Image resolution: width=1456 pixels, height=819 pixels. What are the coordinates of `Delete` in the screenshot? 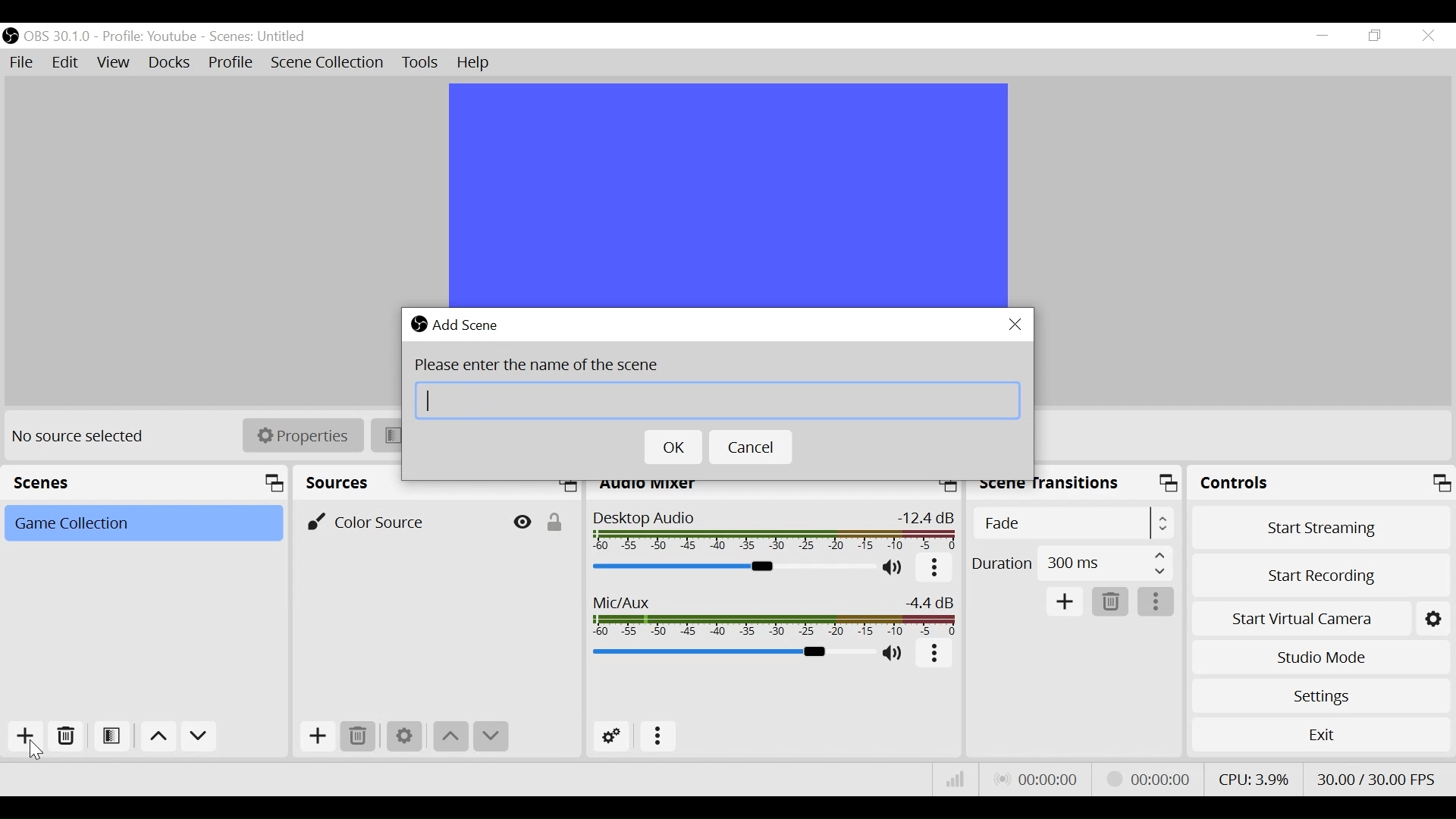 It's located at (67, 736).